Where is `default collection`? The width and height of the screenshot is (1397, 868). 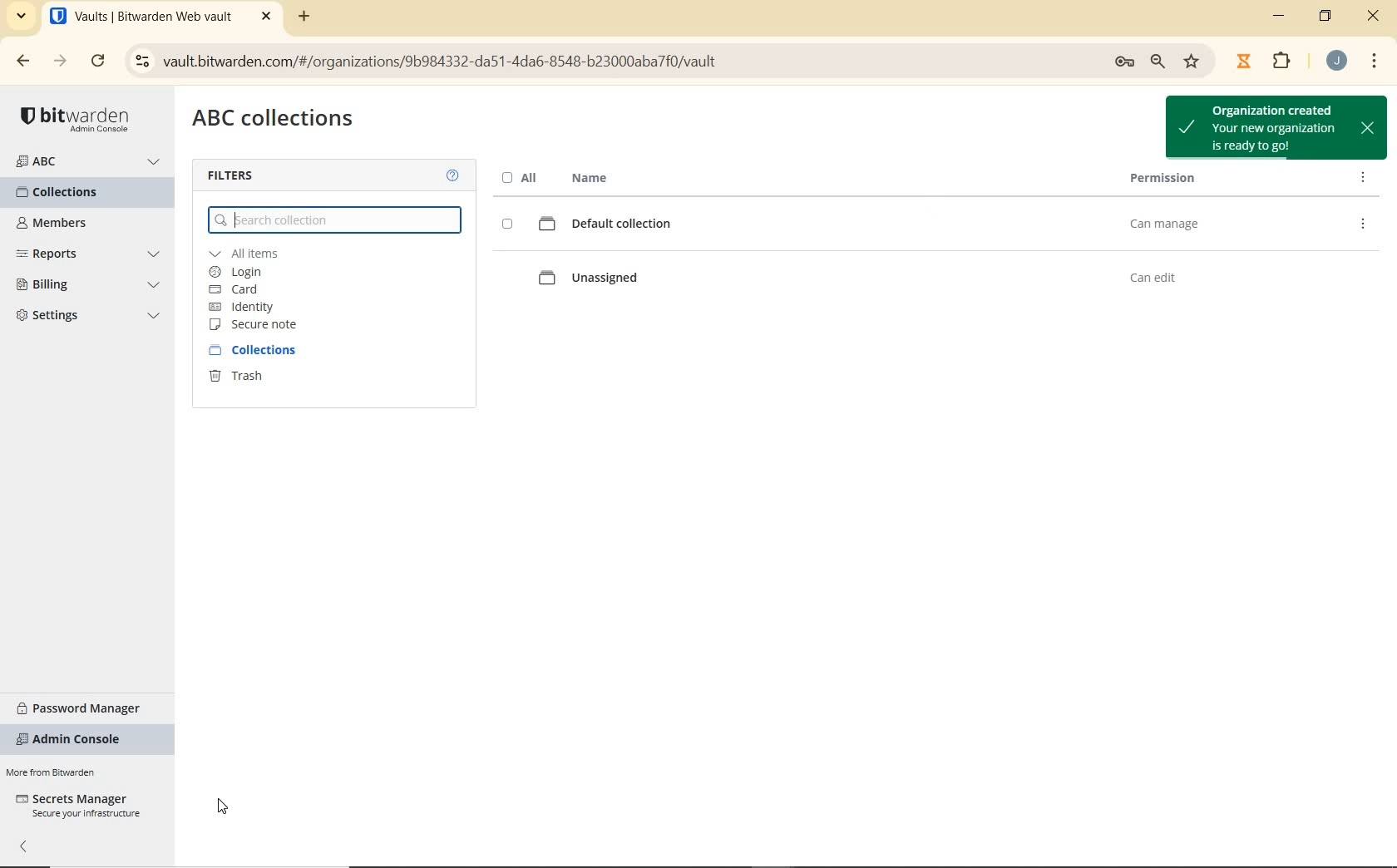
default collection is located at coordinates (760, 225).